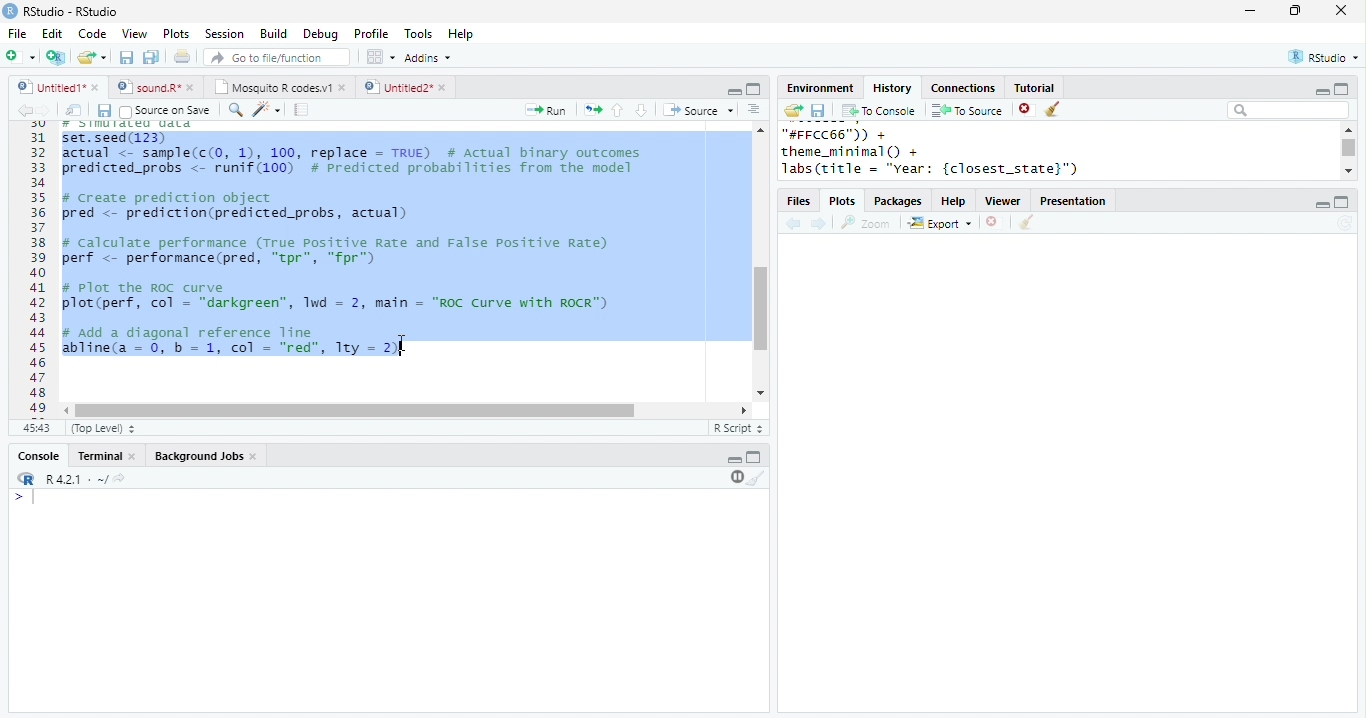 Image resolution: width=1366 pixels, height=718 pixels. Describe the element at coordinates (461, 35) in the screenshot. I see `Help` at that location.